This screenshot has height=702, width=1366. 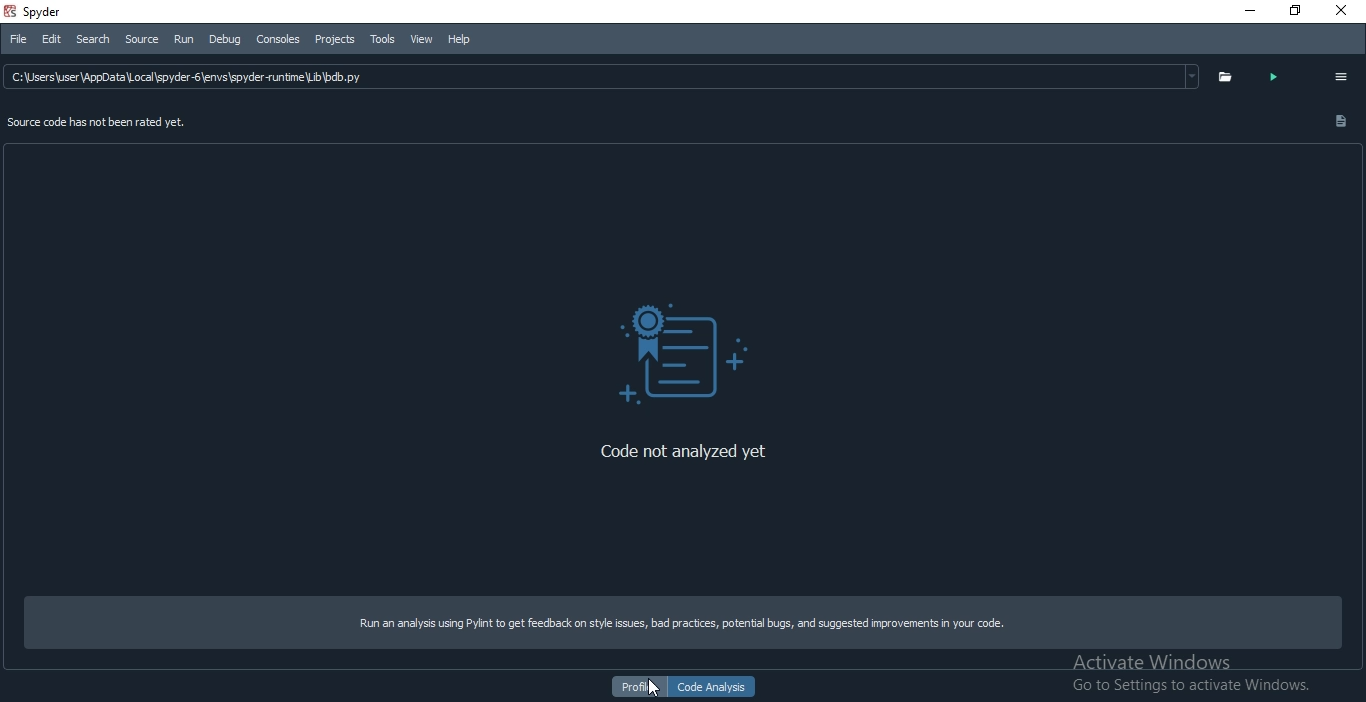 I want to click on run, so click(x=1274, y=80).